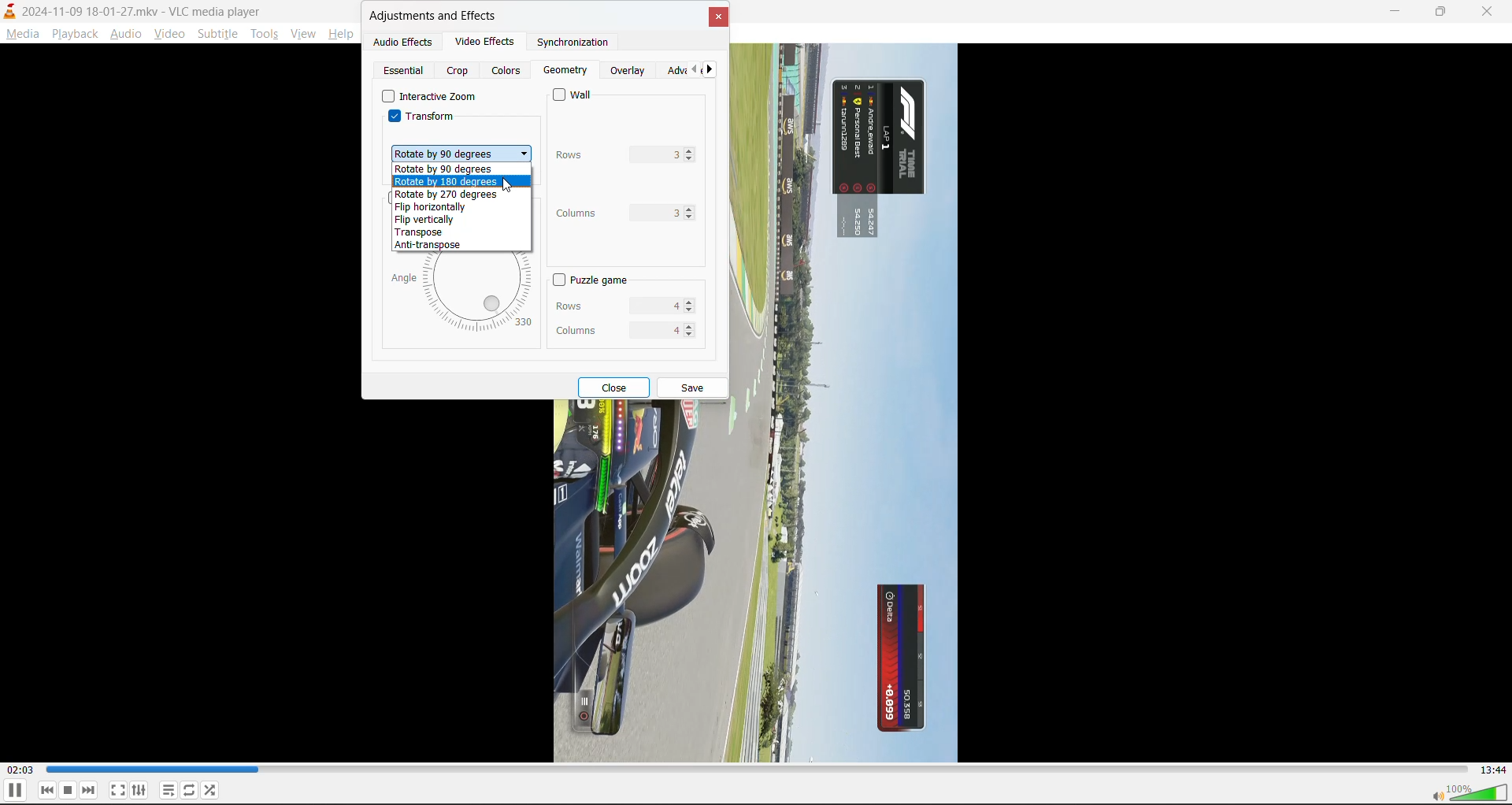  Describe the element at coordinates (14, 792) in the screenshot. I see `pause` at that location.